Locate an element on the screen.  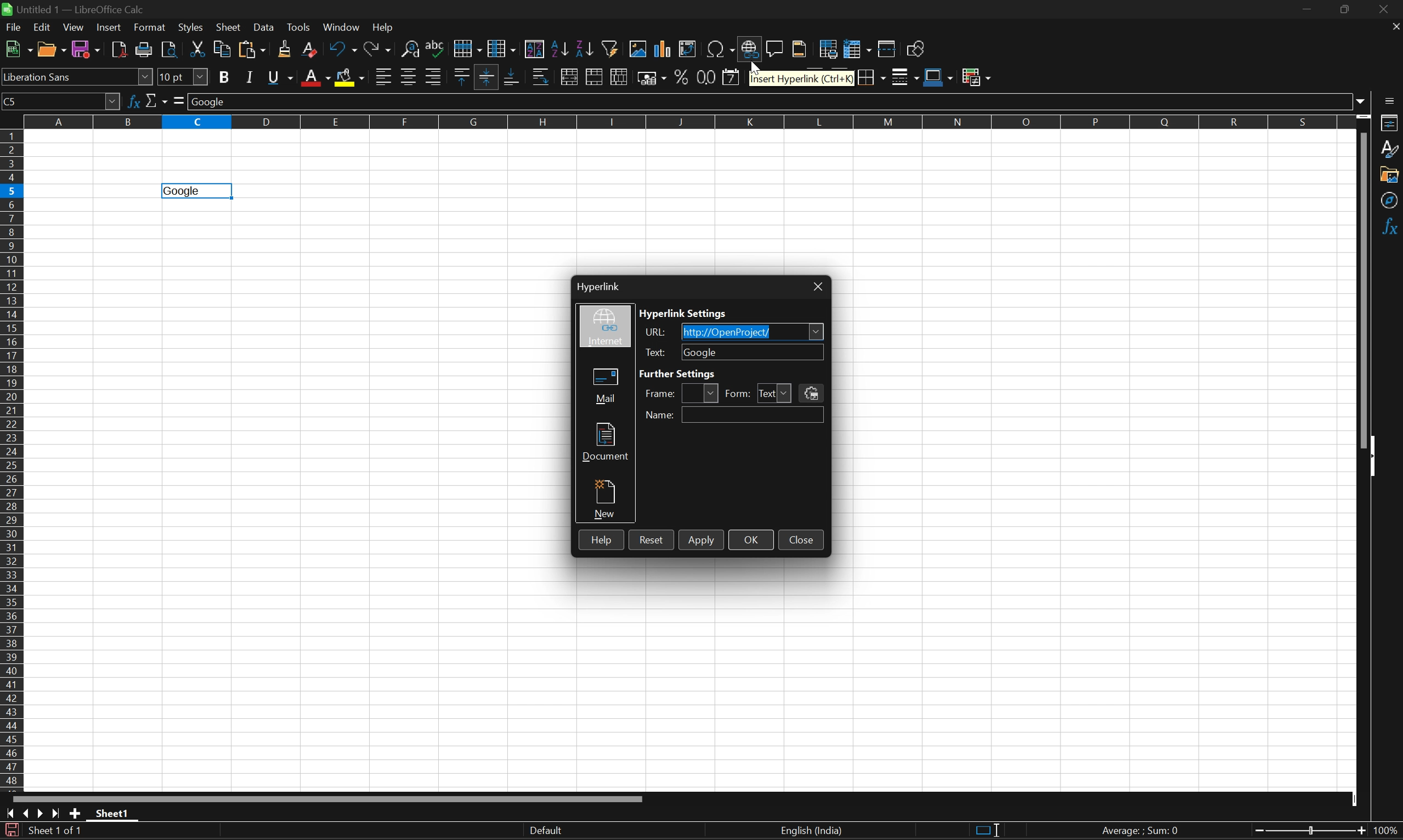
Close is located at coordinates (817, 287).